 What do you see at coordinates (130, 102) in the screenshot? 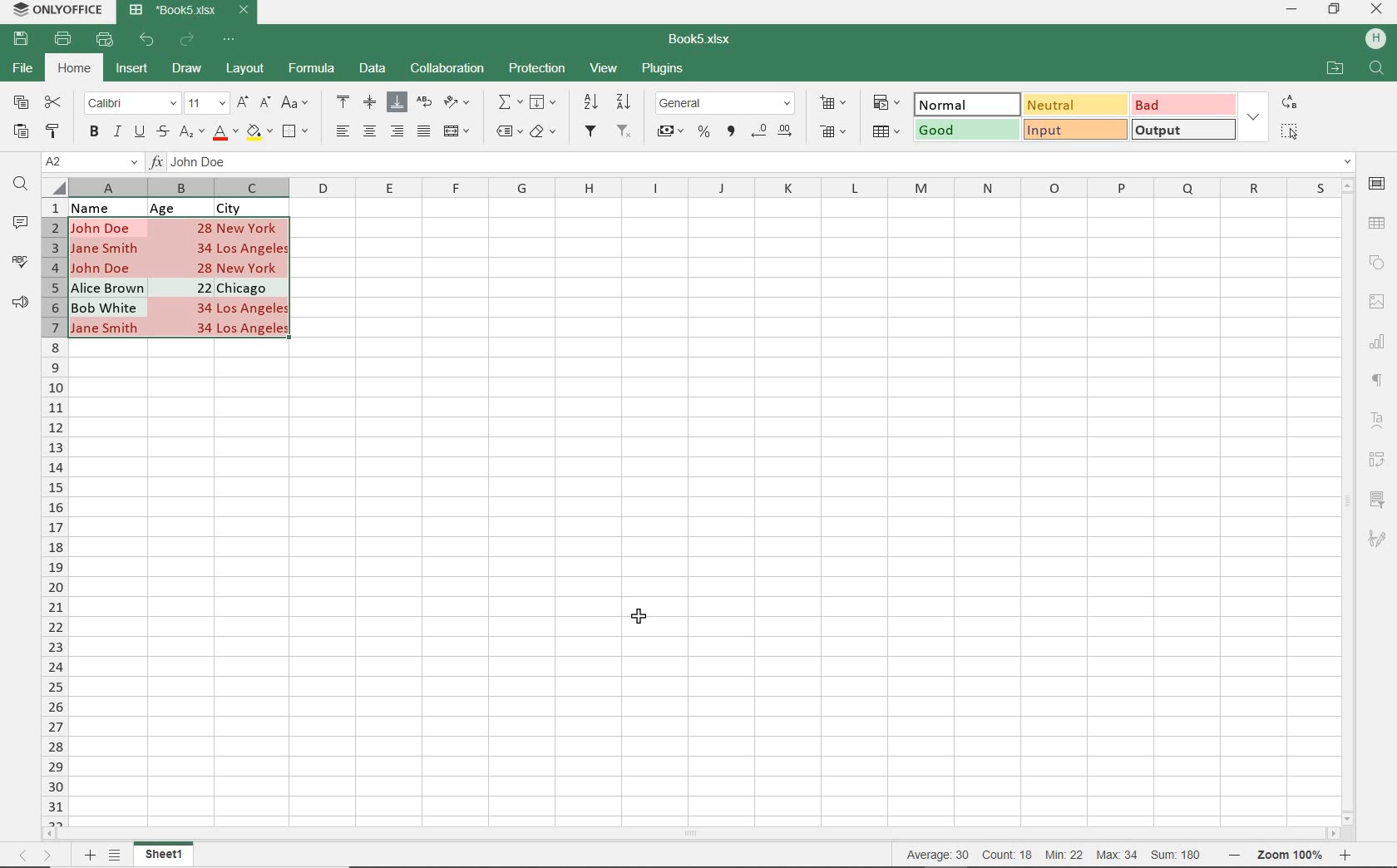
I see `FONT` at bounding box center [130, 102].